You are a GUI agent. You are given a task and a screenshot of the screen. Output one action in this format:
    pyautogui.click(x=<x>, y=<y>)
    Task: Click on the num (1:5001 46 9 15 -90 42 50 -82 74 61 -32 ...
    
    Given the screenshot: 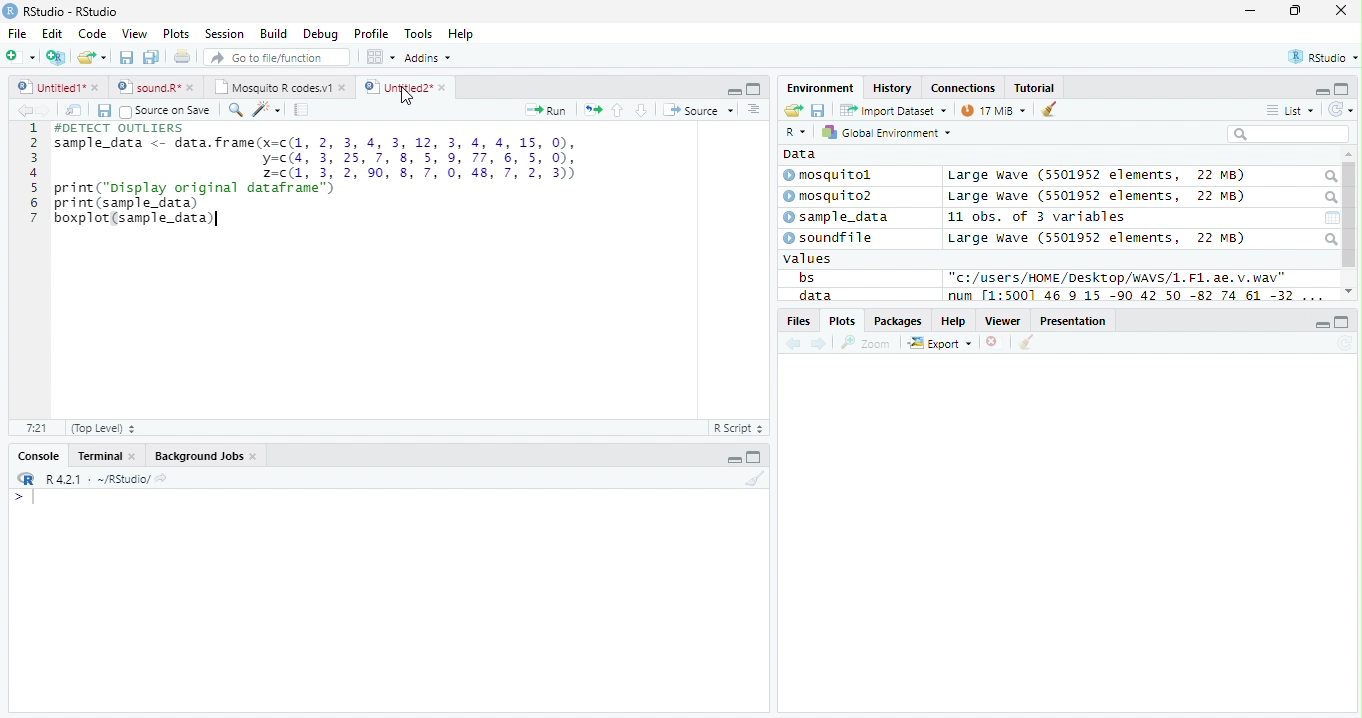 What is the action you would take?
    pyautogui.click(x=1138, y=296)
    